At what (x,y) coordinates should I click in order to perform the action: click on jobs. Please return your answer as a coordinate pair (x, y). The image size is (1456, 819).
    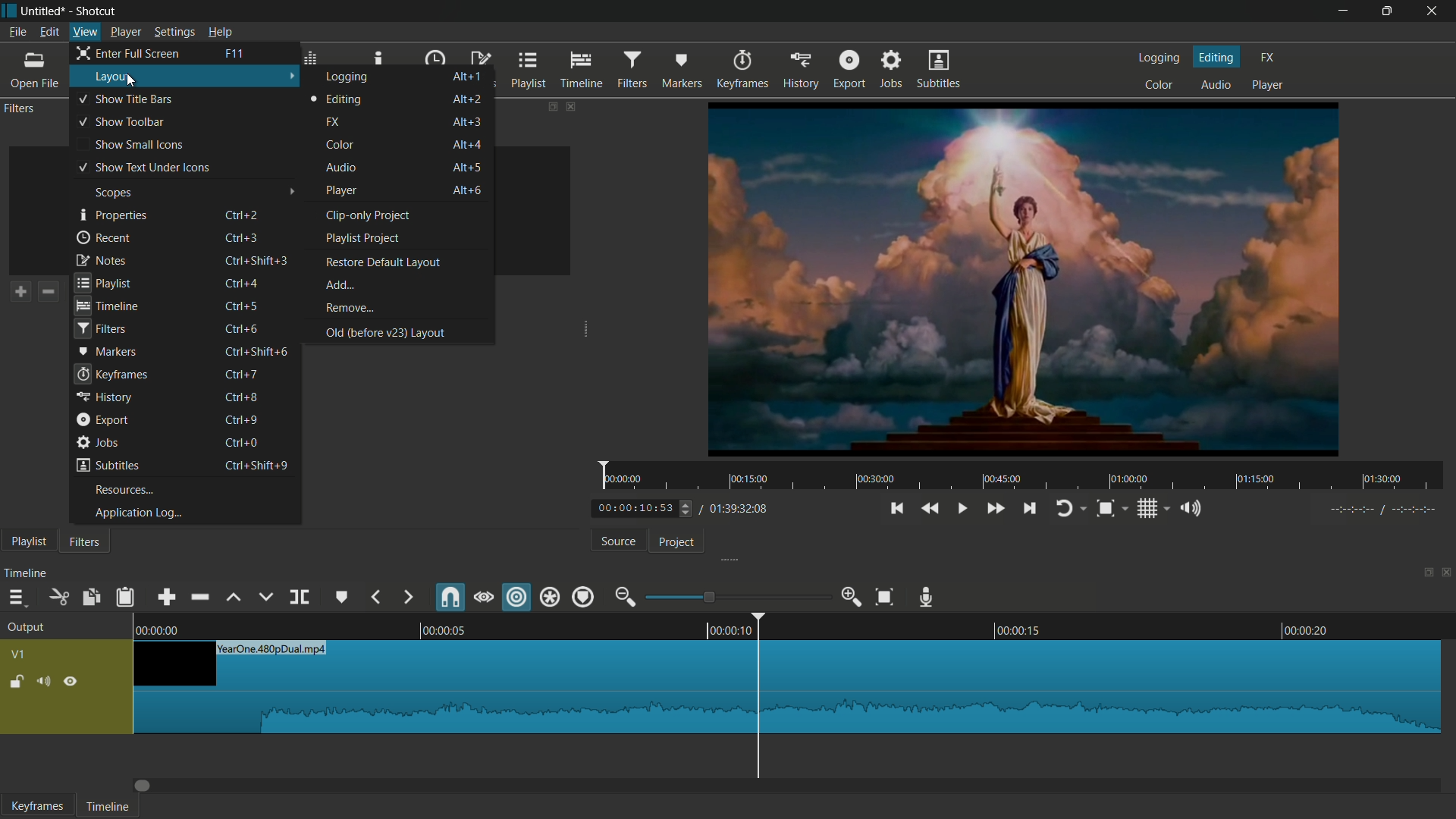
    Looking at the image, I should click on (890, 70).